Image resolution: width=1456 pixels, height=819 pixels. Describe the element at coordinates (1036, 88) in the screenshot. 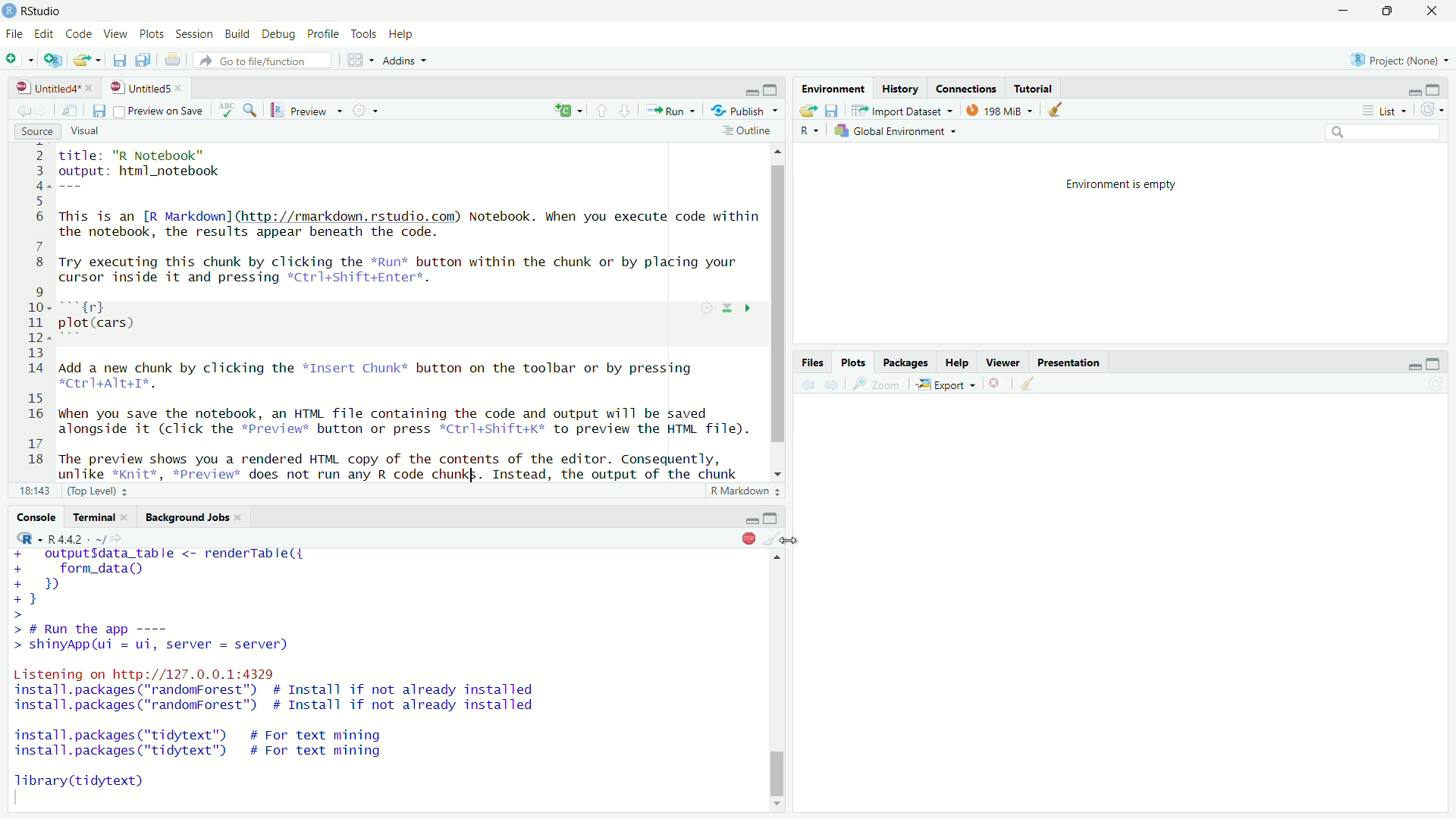

I see `Tutorial` at that location.